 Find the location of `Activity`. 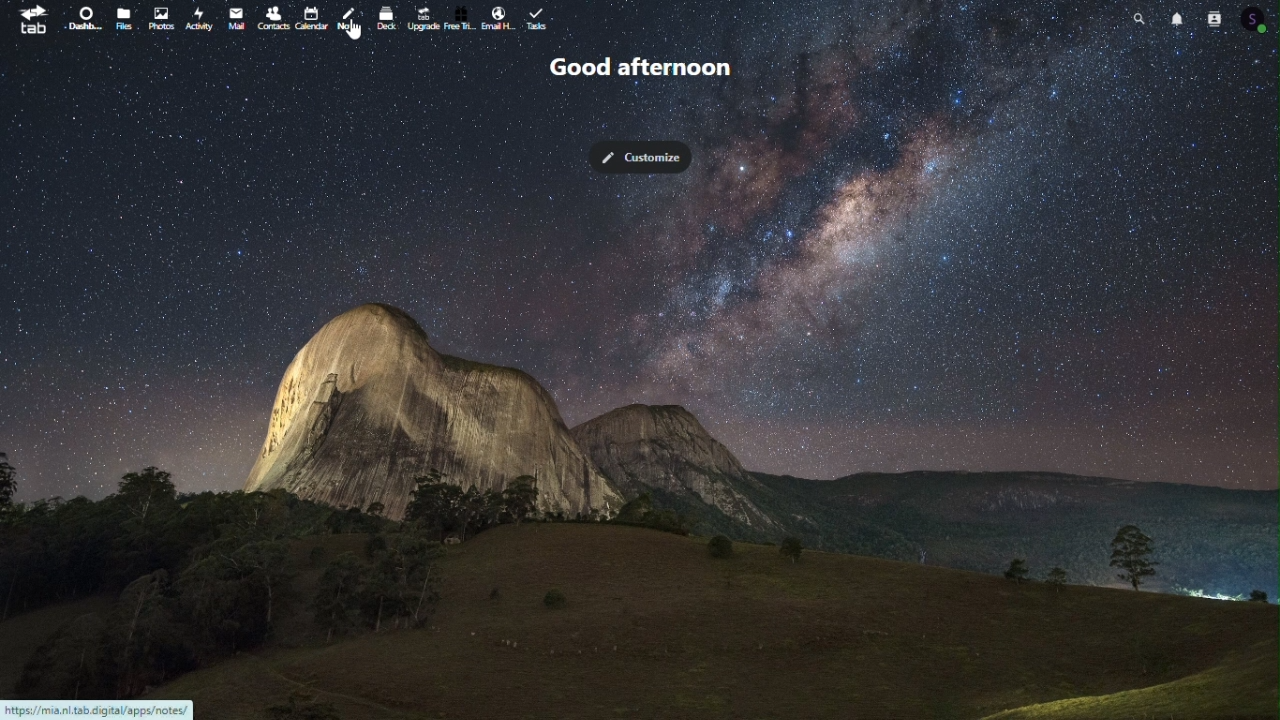

Activity is located at coordinates (198, 18).